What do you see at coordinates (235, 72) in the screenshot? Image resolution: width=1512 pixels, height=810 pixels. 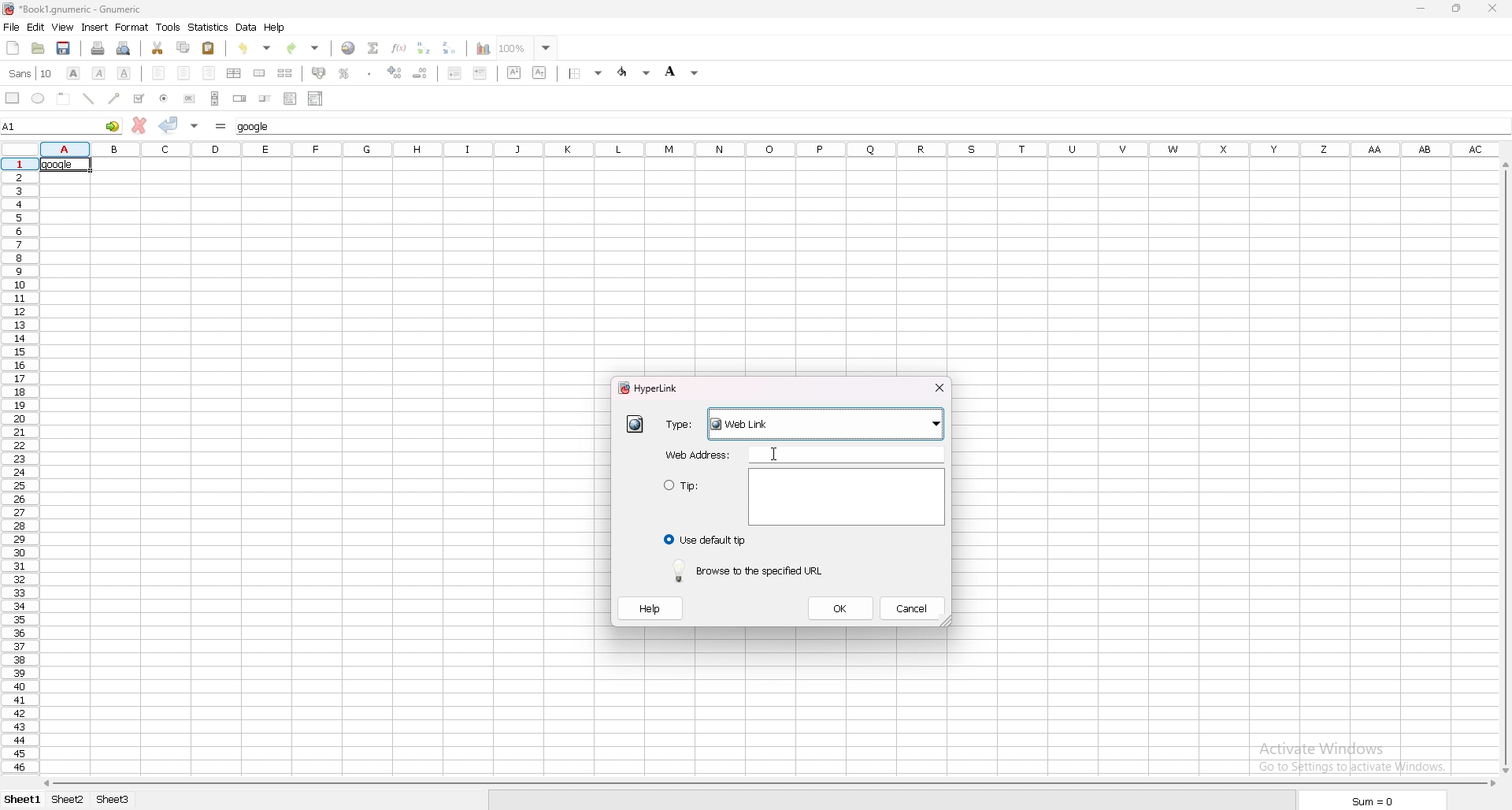 I see `centre horizontally` at bounding box center [235, 72].